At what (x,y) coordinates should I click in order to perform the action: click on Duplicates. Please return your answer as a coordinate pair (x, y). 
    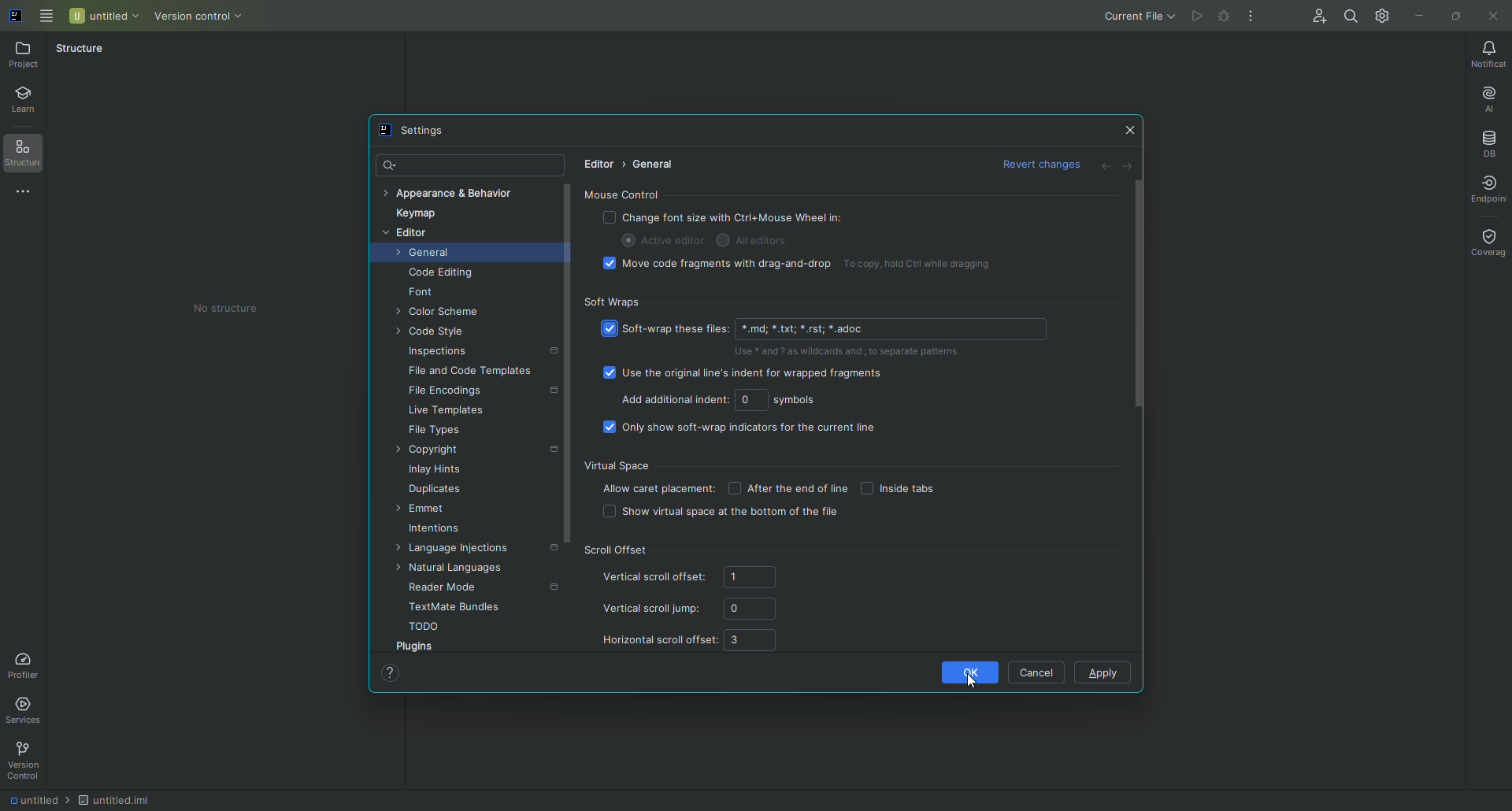
    Looking at the image, I should click on (439, 491).